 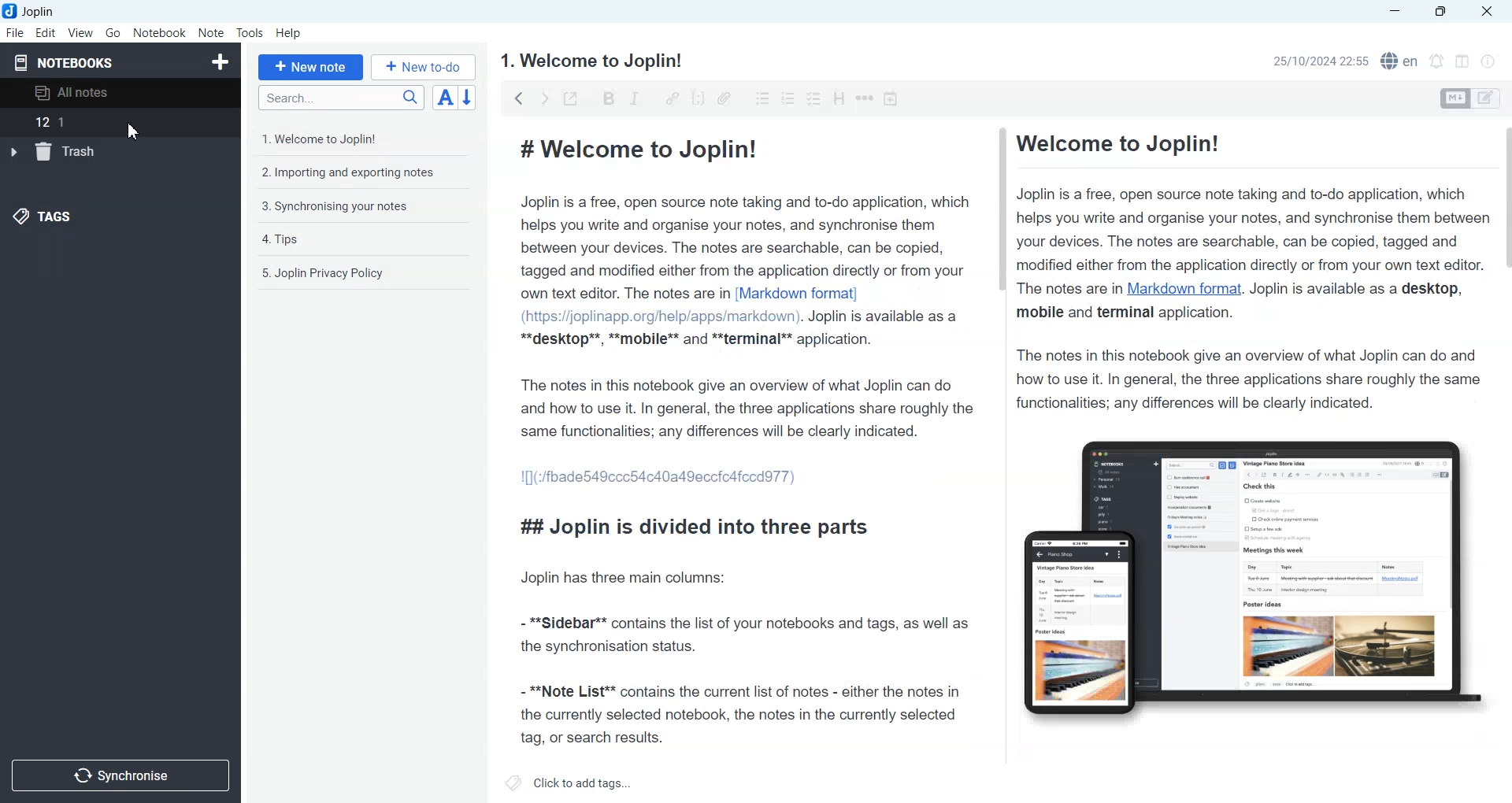 What do you see at coordinates (746, 450) in the screenshot?
I see `# Welcome to Joplin!

Joplin is a free, open source note taking and to-do application, which
helps you write and organise your notes, and synchronise them
between your devices. The notes are searchable, can be copied,
tagged and modified either from the application directly or from your
own text editor. The notes are in [Markdown format]
(https://joplinapp.org/help/apps/markdown). Joplin is available as a
**desktop**, **mobile** and **terminal** application.

The notes in this notebook give an overview of what Joplin can do
and how to use it. In general, the three applications share roughly the
same functionalities; any differences will be clearly indicated.
1[](:/fbade549ccc54c40a49eccicafccdd77)

## Joplin is divided into three parts

Joplin has three main columns:

- **Sidebar** contains the list of your notebooks and tags, as well as
the synchronisation status.

- **Note List** contains the current list of notes - either the notes in` at bounding box center [746, 450].